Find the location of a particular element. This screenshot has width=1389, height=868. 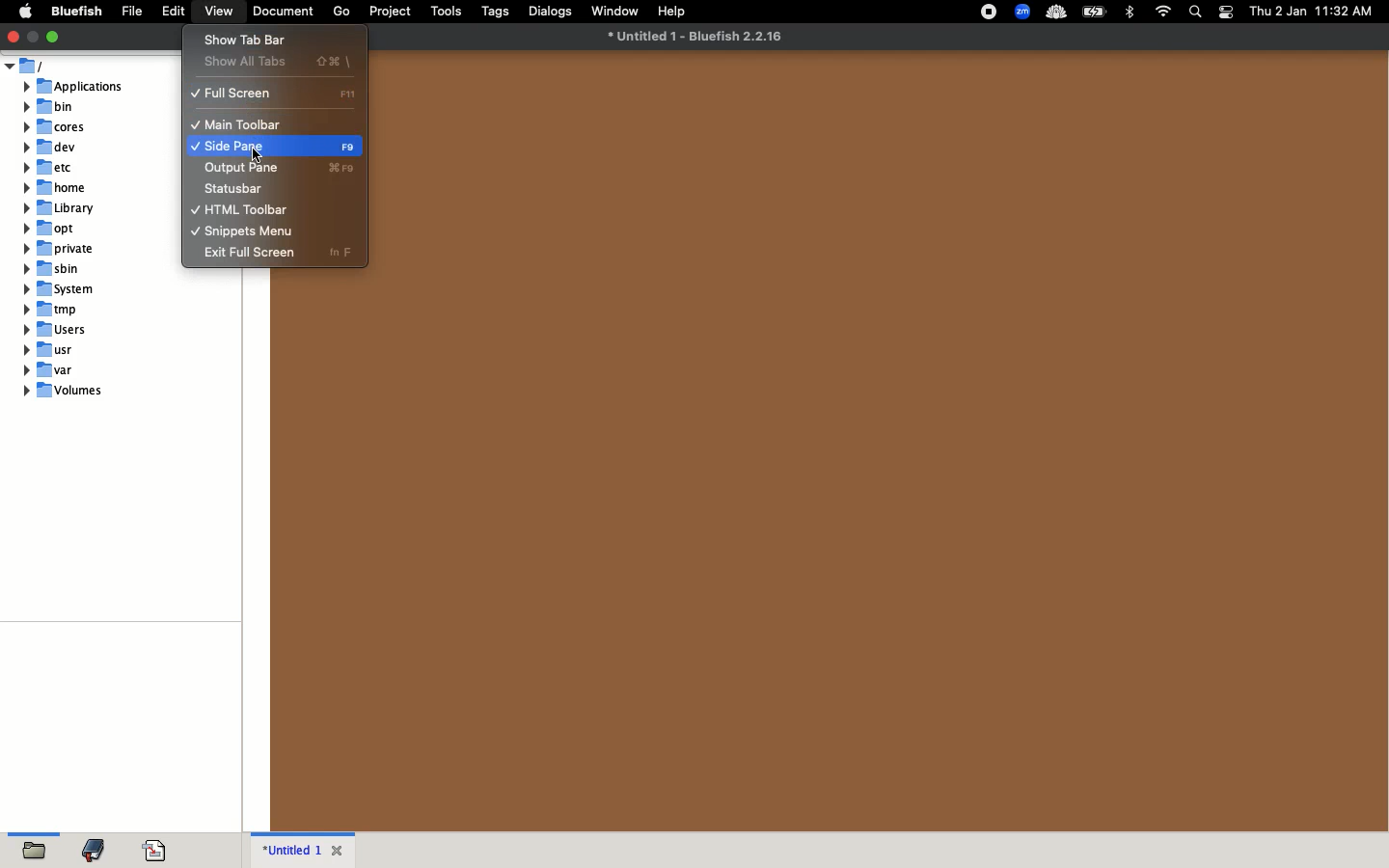

full screen is located at coordinates (271, 94).